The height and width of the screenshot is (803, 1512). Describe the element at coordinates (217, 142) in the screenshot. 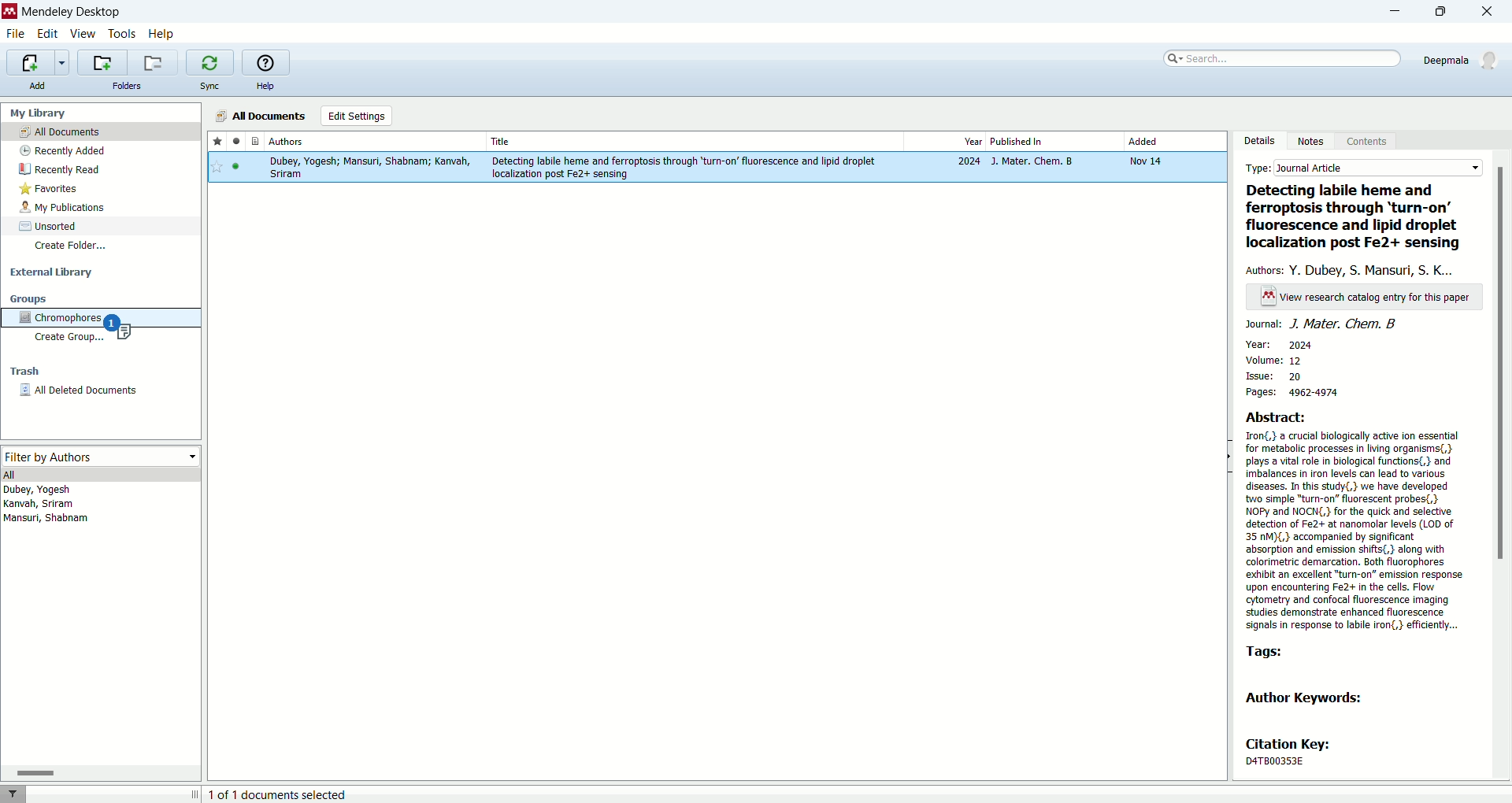

I see `favorite` at that location.